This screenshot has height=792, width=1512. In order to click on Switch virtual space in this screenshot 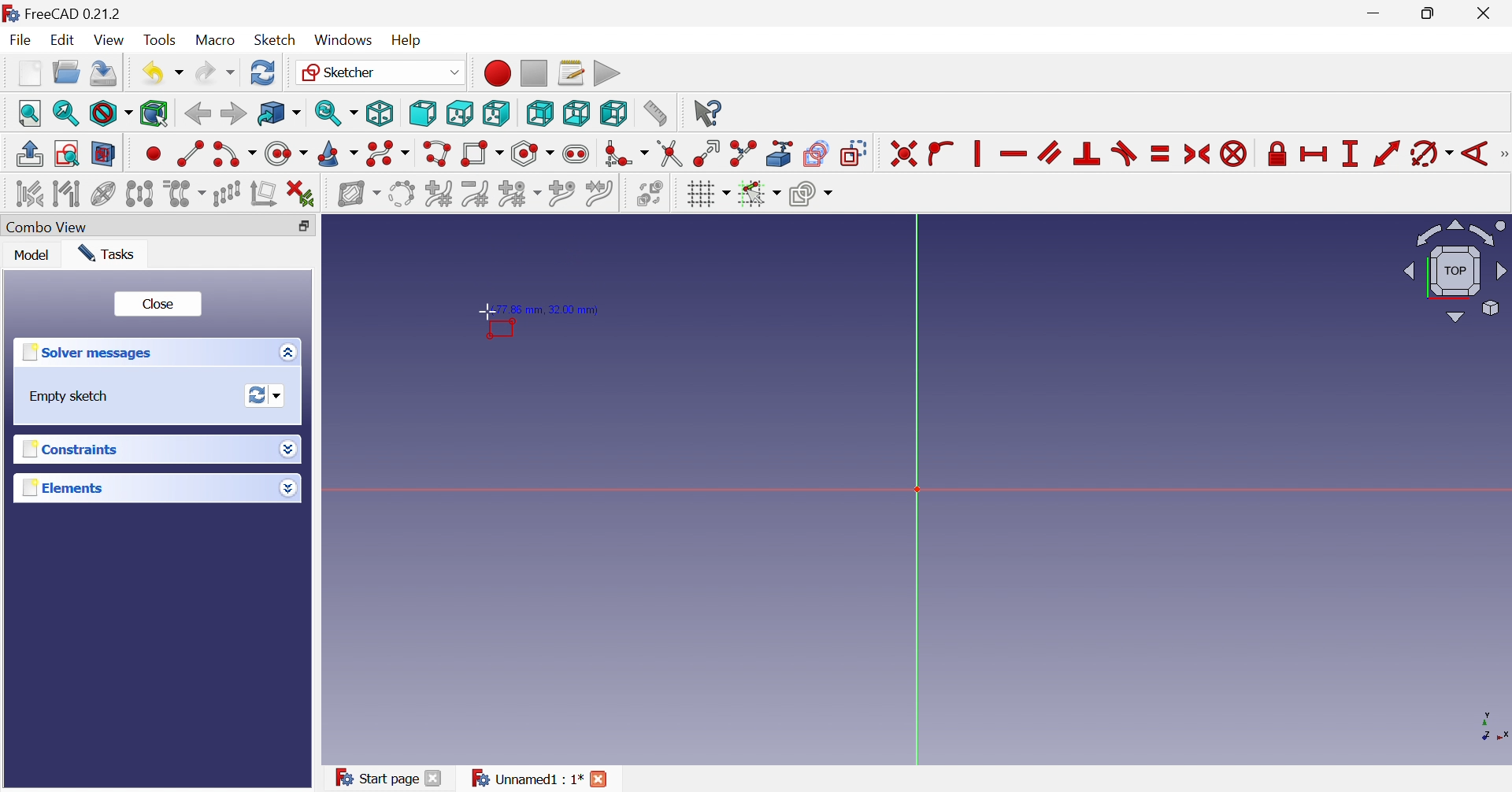, I will do `click(650, 193)`.